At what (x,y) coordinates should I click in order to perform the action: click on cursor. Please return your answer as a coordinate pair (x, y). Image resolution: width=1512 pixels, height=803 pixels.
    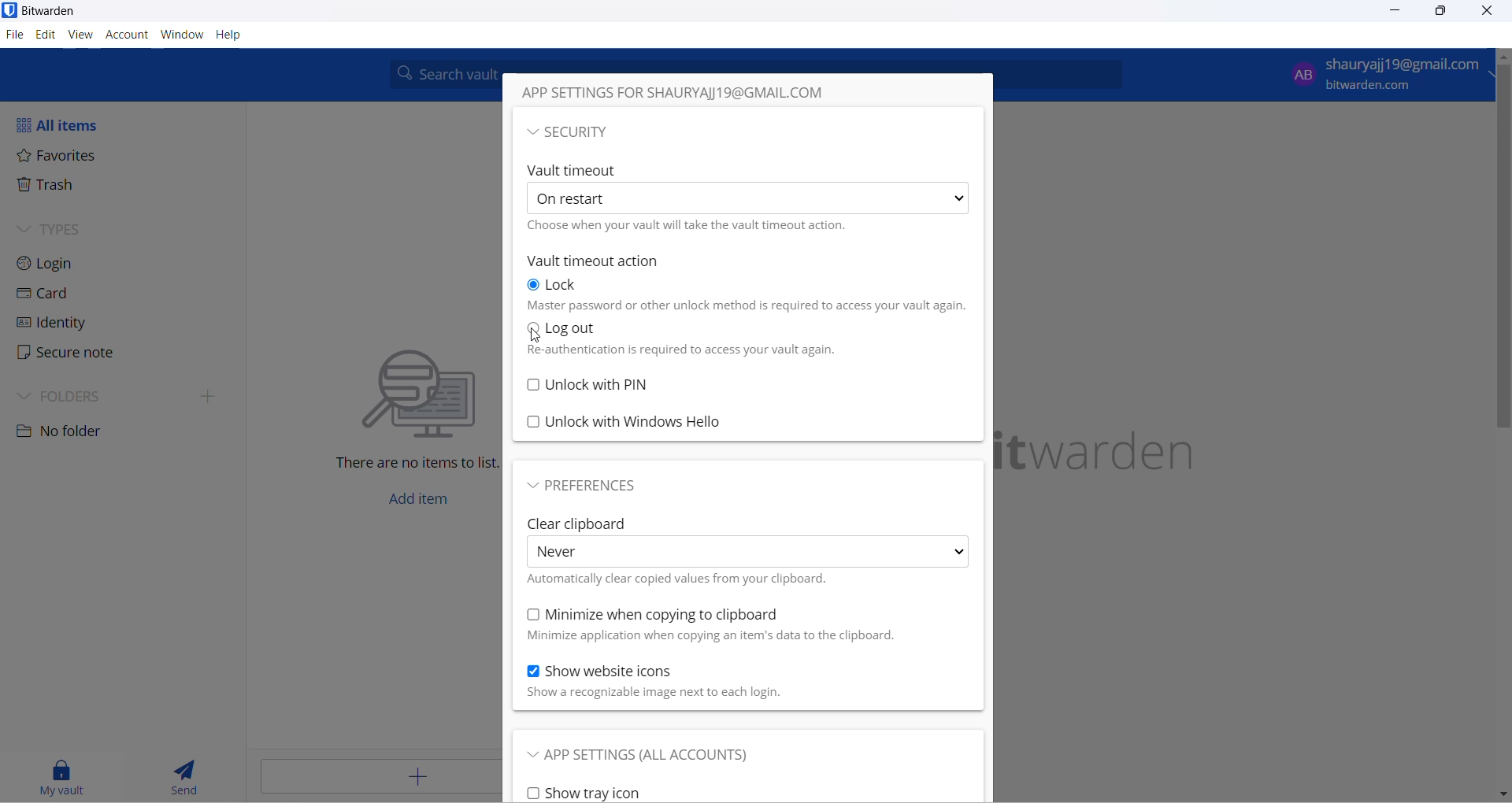
    Looking at the image, I should click on (533, 337).